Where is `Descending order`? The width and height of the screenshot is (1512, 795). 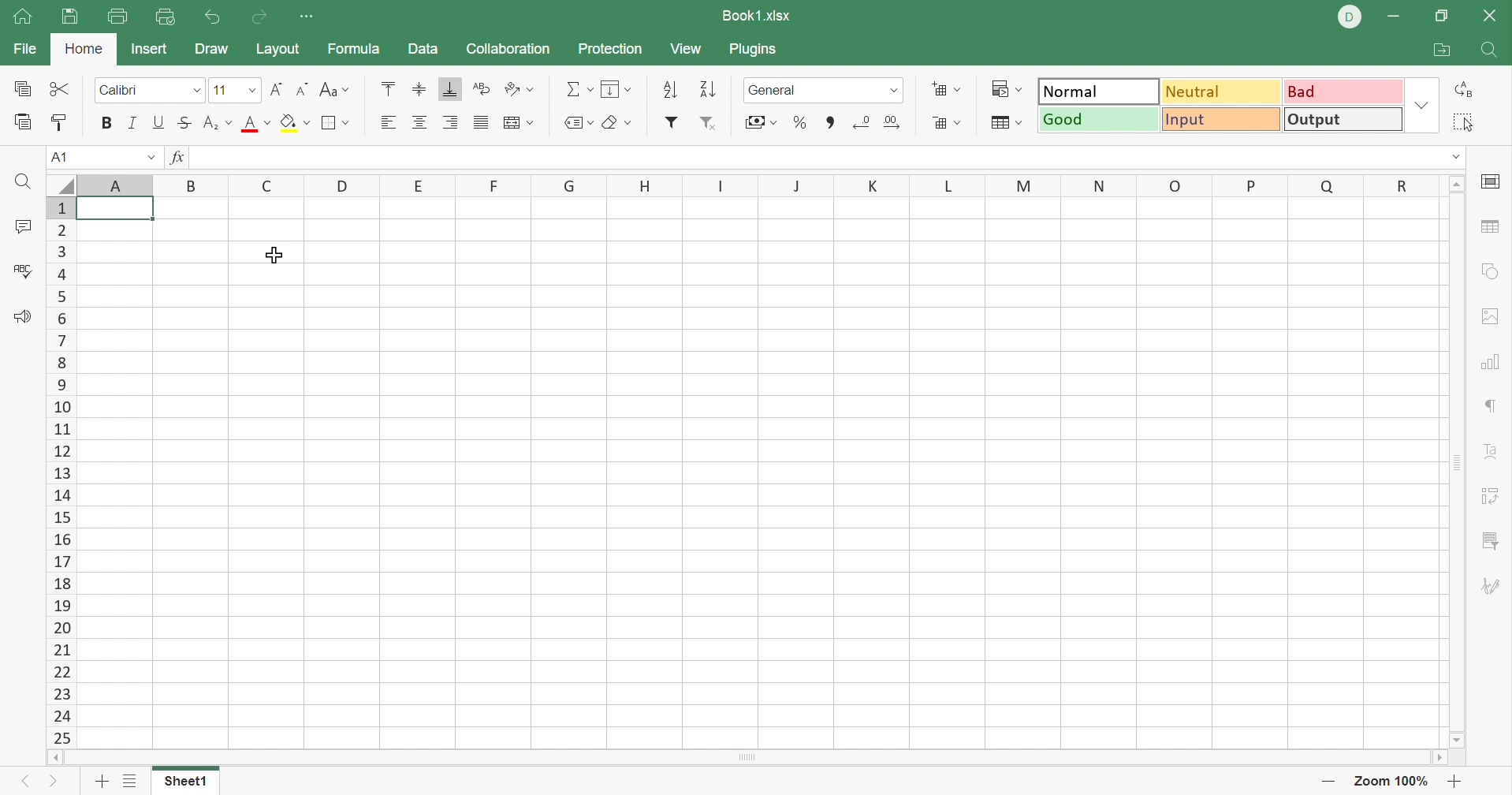
Descending order is located at coordinates (711, 88).